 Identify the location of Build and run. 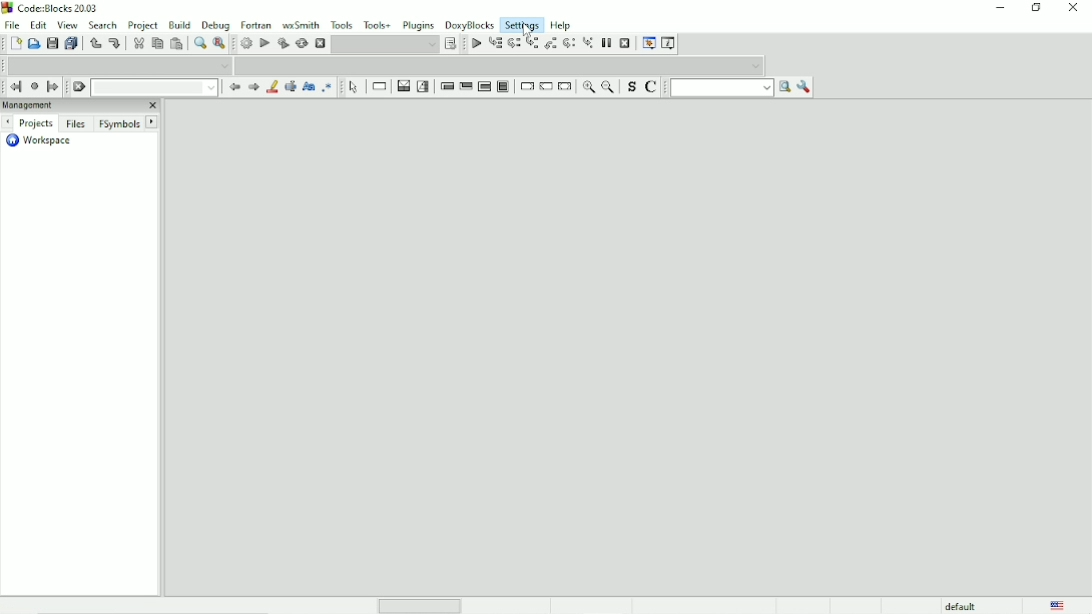
(282, 43).